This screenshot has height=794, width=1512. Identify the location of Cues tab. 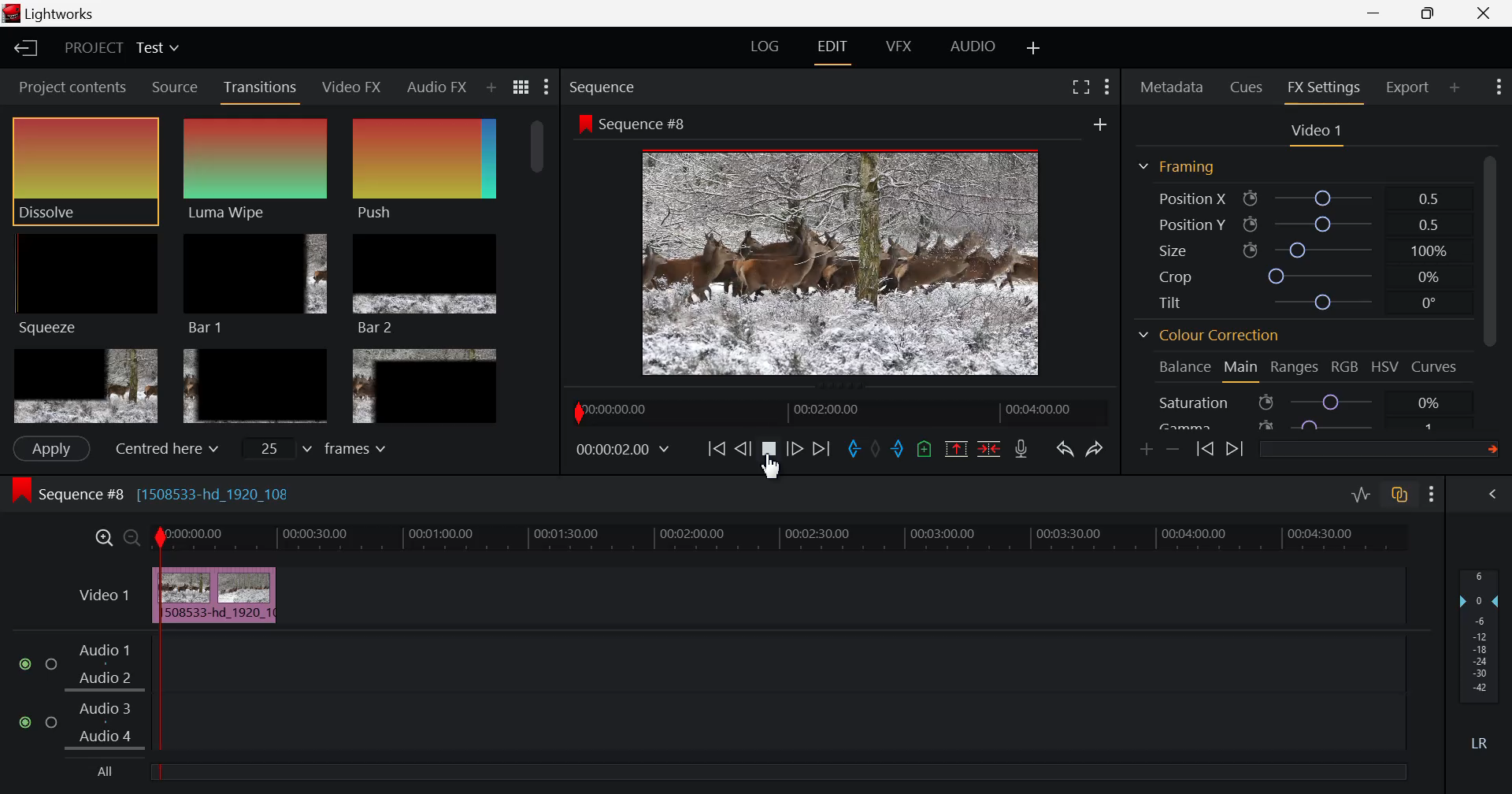
(1247, 86).